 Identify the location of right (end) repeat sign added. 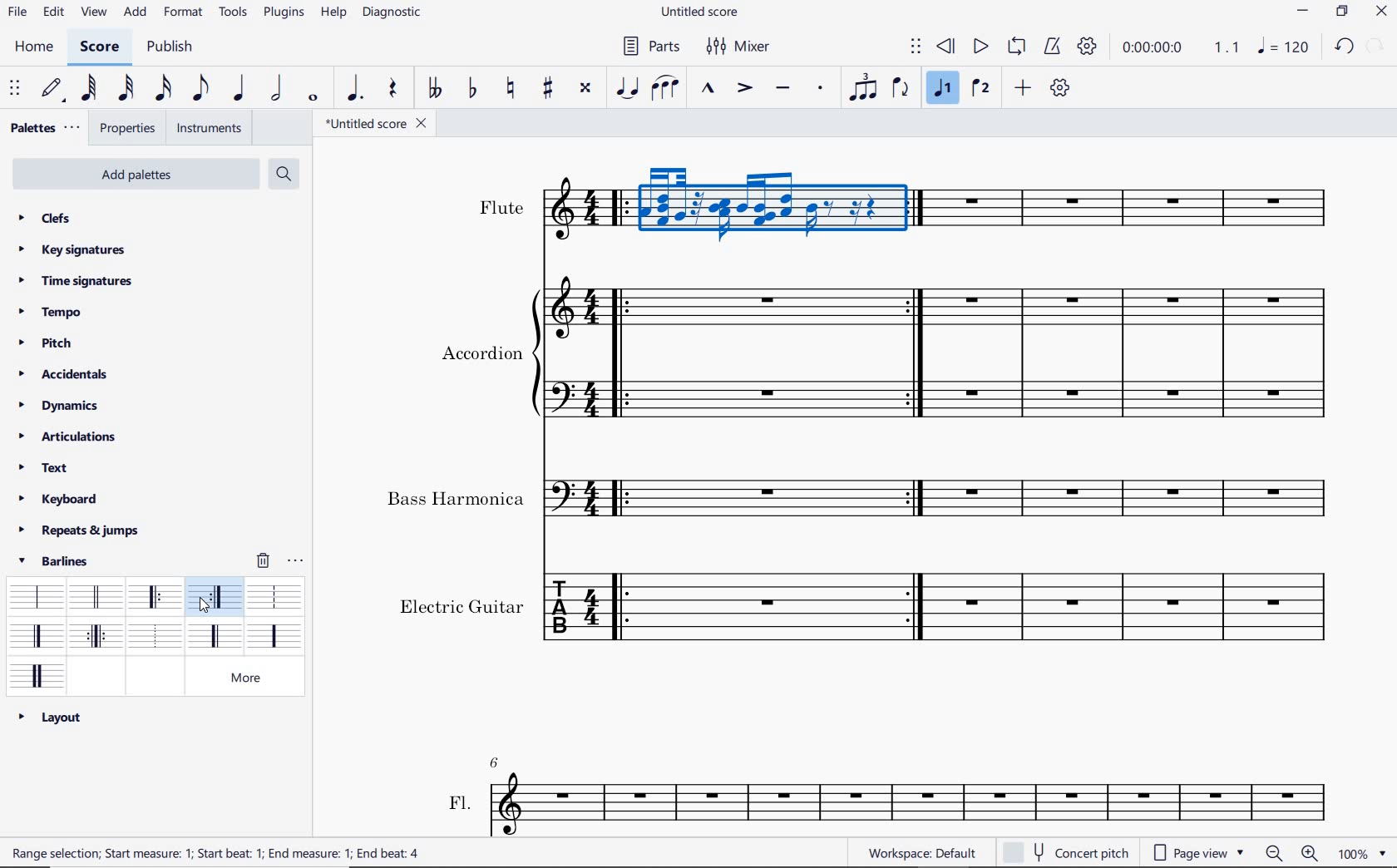
(917, 499).